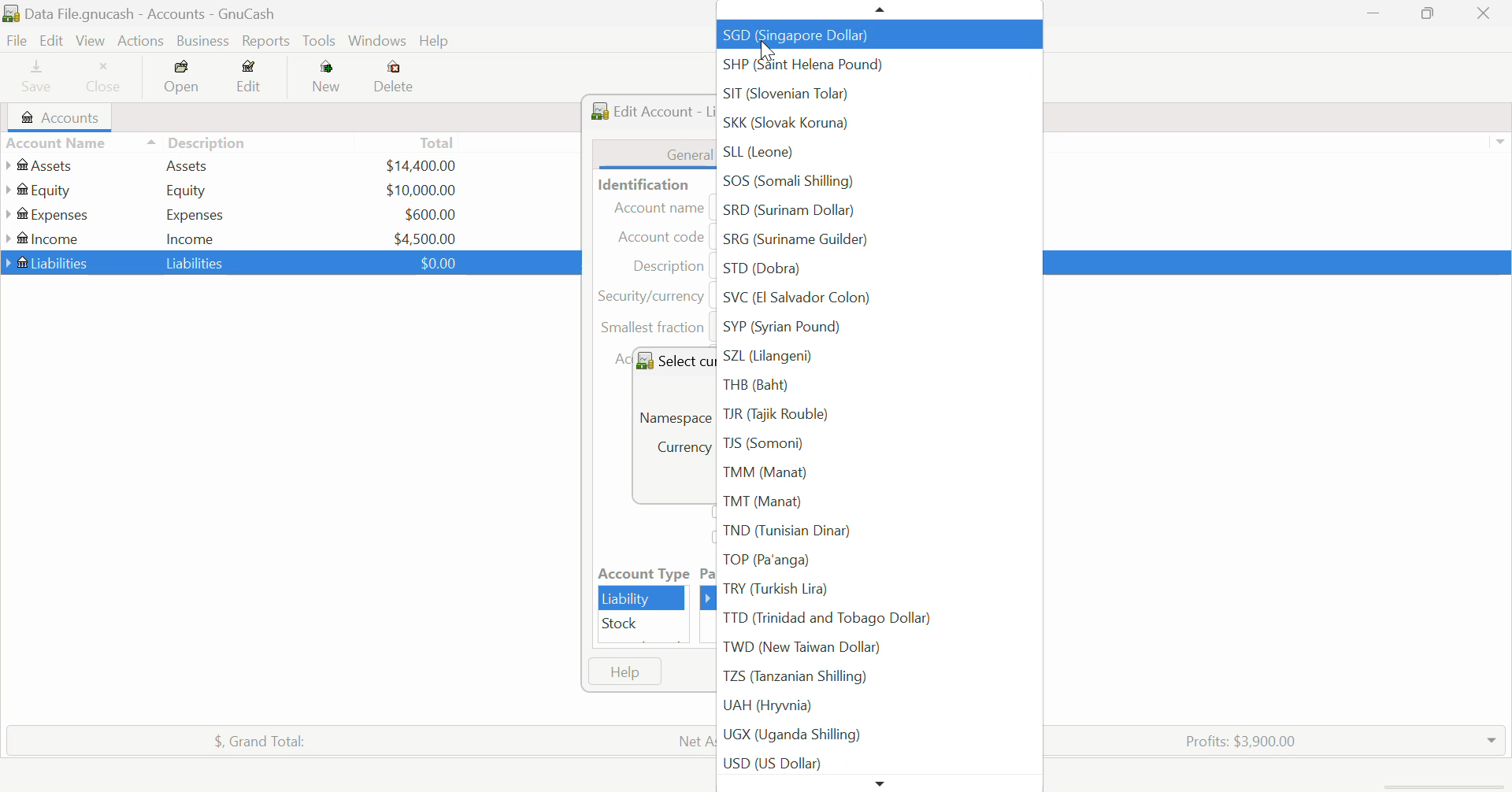 This screenshot has width=1512, height=792. I want to click on TZS, so click(875, 675).